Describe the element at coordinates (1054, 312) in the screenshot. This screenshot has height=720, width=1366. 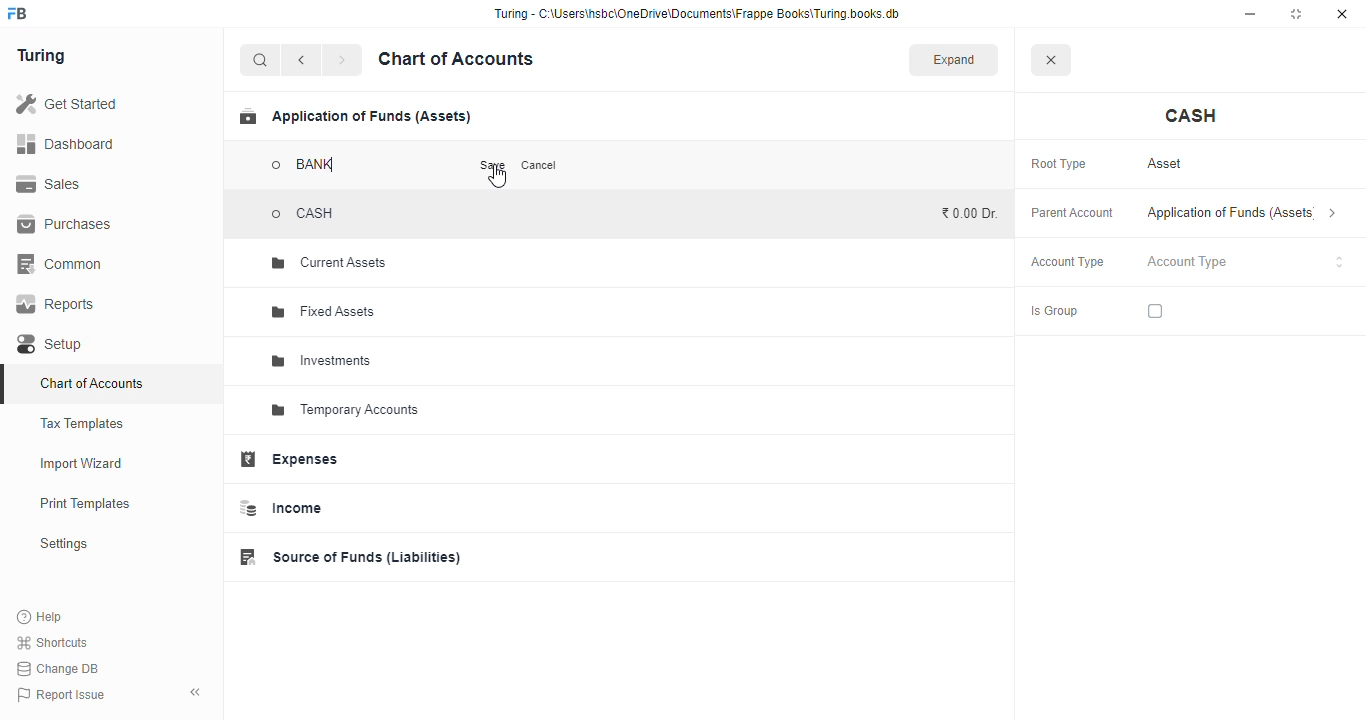
I see `is group` at that location.